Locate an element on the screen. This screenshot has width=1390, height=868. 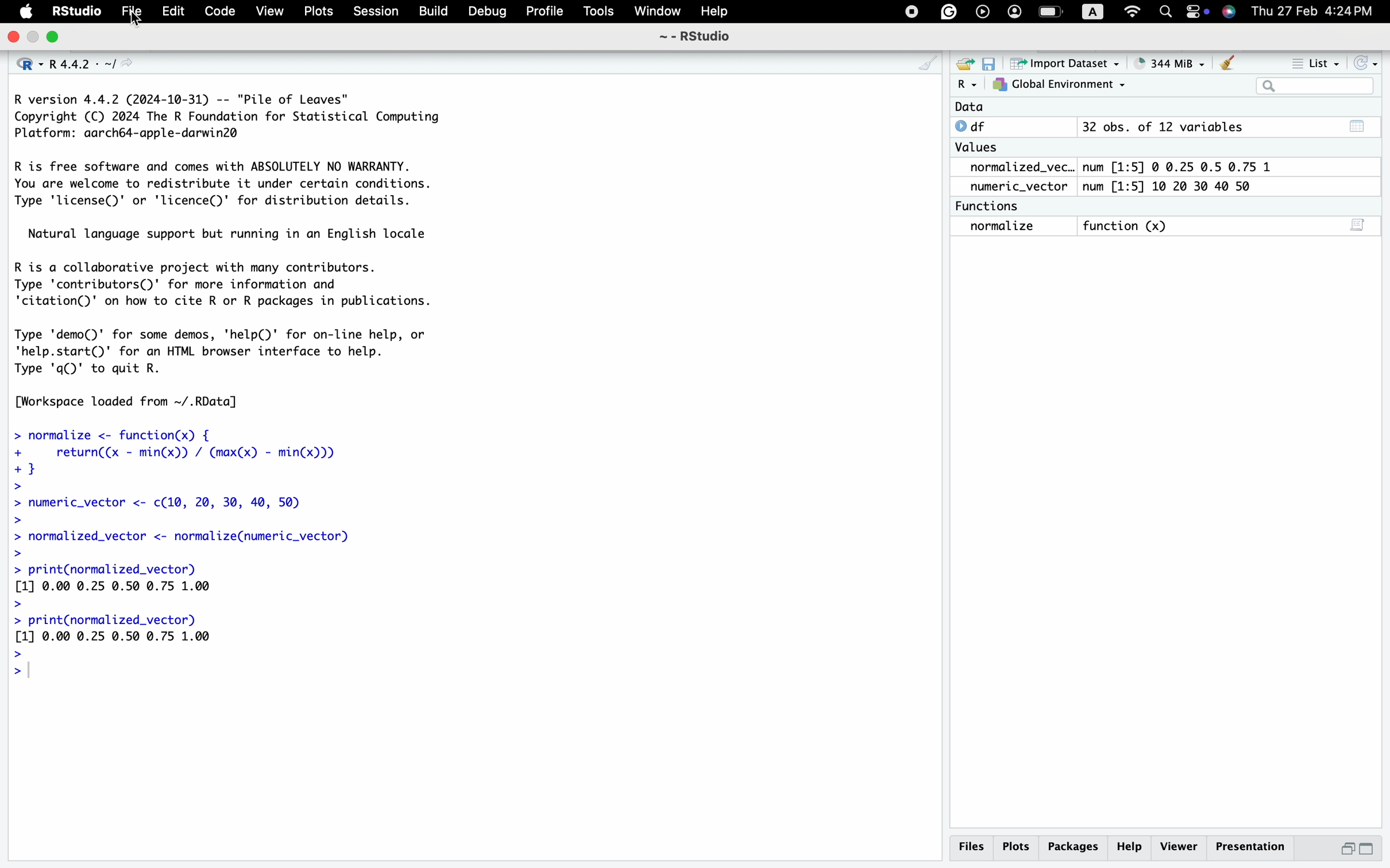
control center is located at coordinates (911, 12).